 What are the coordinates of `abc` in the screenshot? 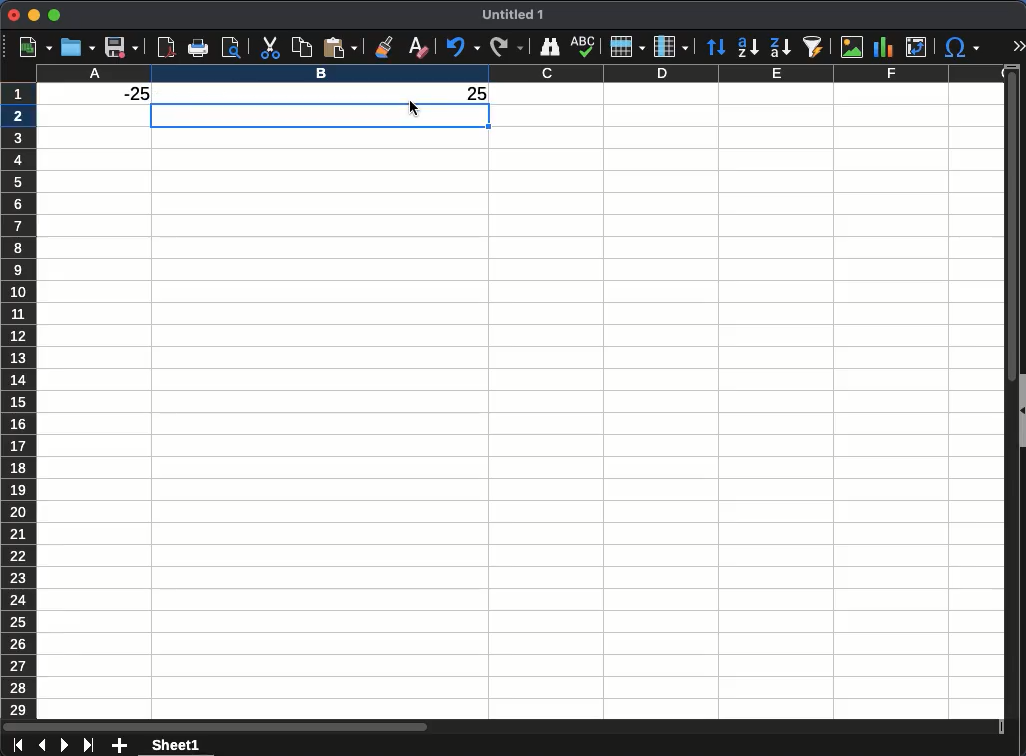 It's located at (582, 46).